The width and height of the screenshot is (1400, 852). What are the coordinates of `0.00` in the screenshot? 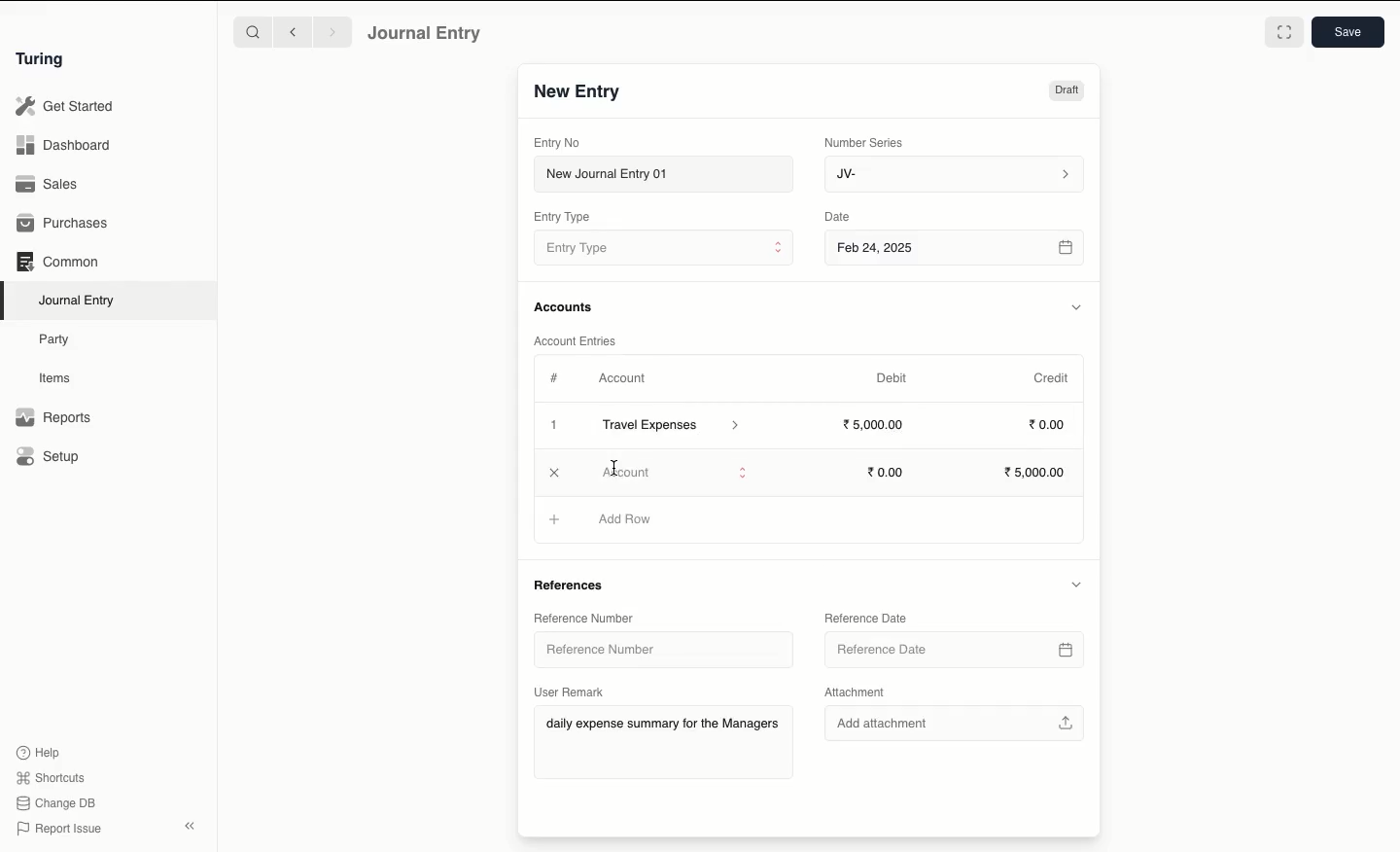 It's located at (887, 473).